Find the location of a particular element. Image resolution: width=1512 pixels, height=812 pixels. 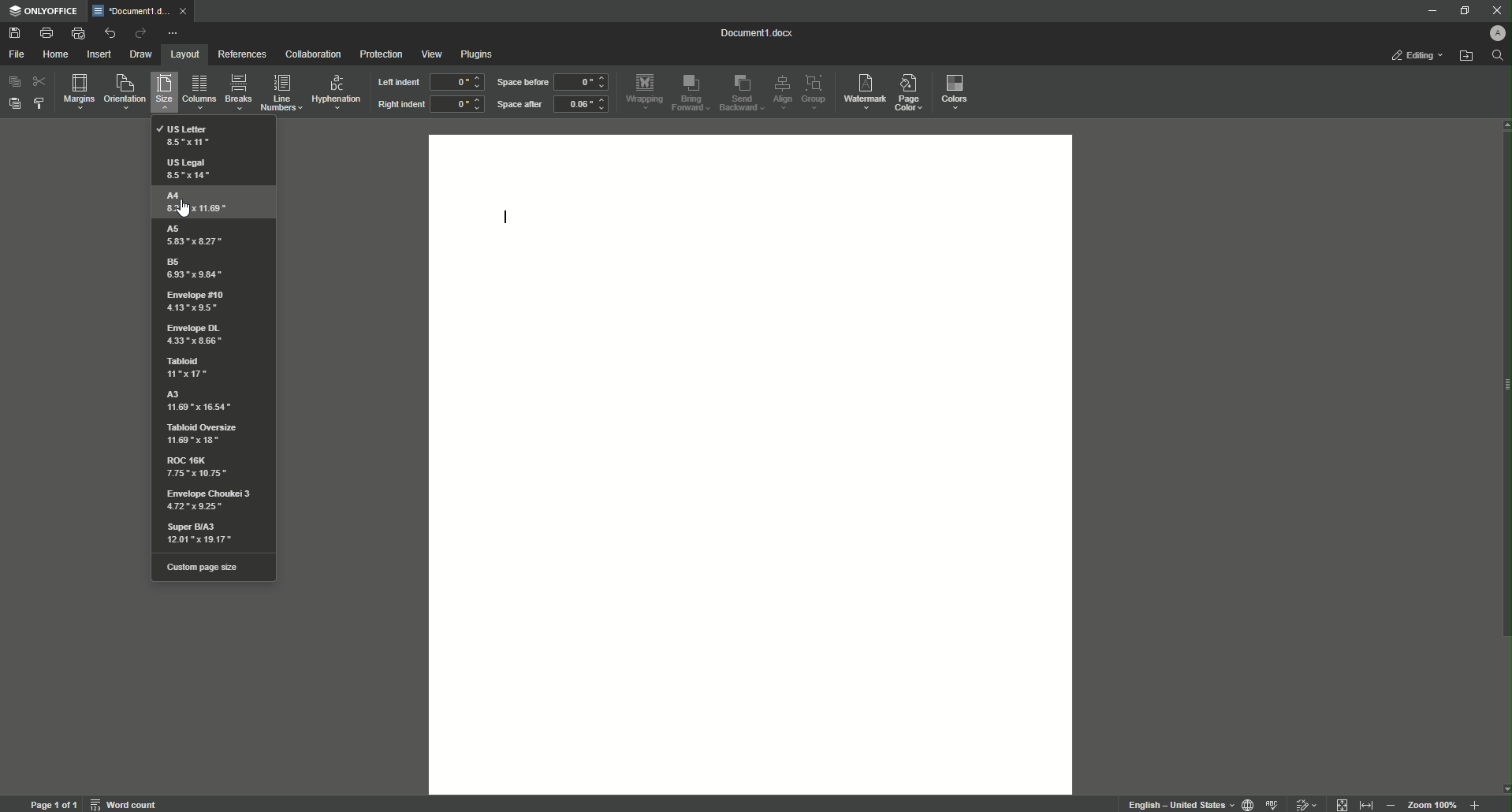

Cursor is located at coordinates (185, 209).